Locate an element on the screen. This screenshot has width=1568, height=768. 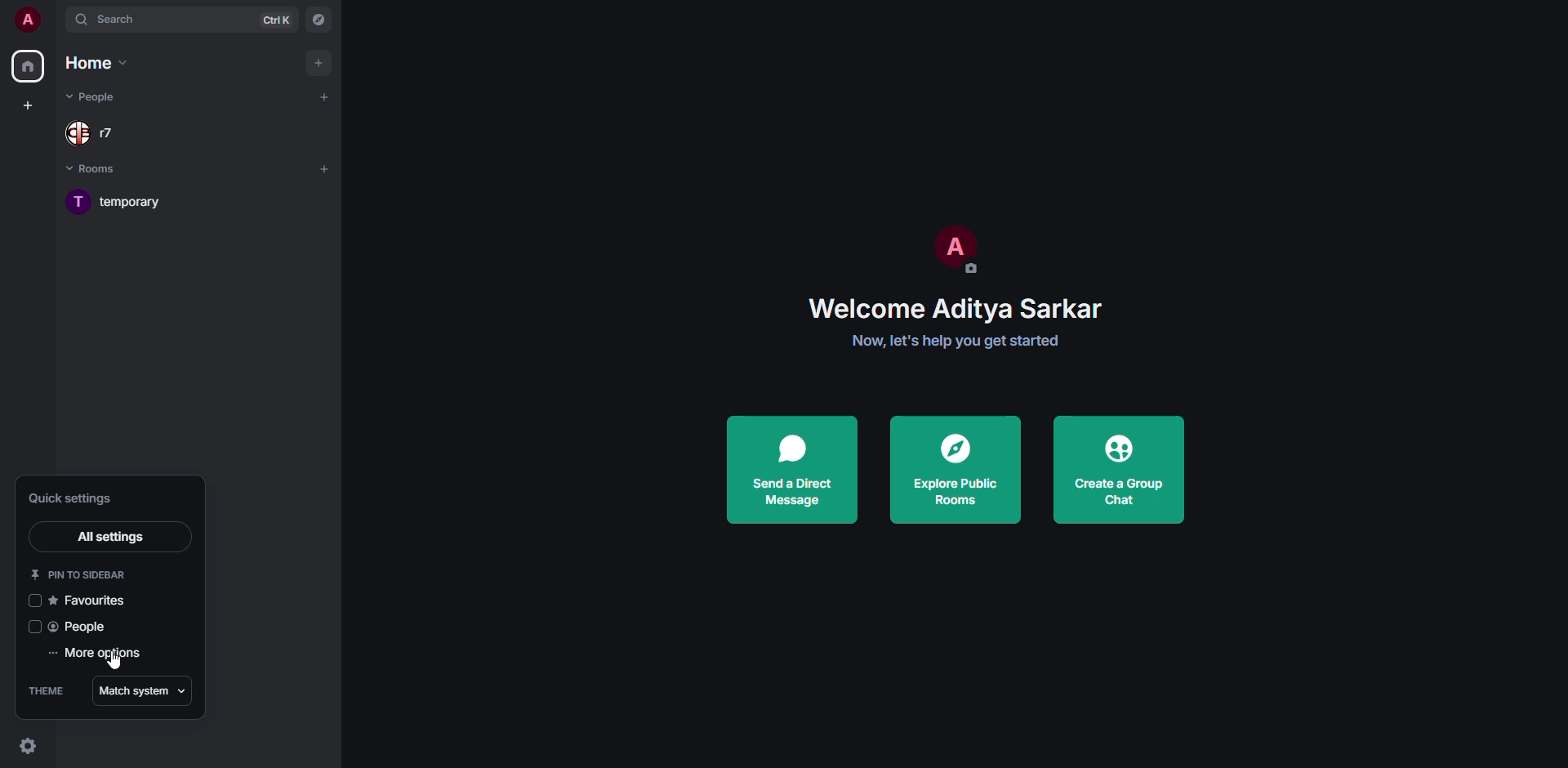
welcome is located at coordinates (959, 306).